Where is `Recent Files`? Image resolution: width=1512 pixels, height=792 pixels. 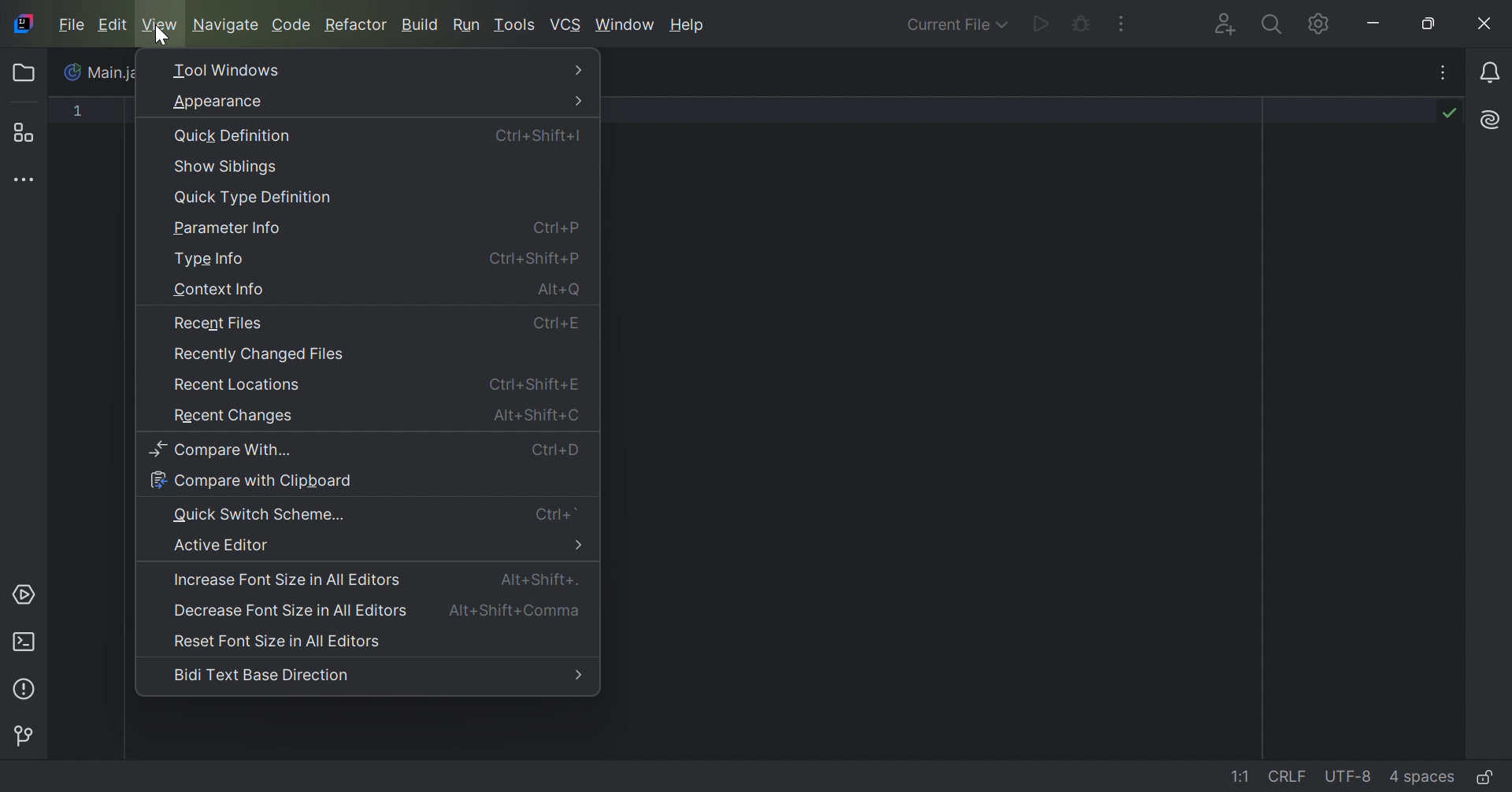
Recent Files is located at coordinates (217, 324).